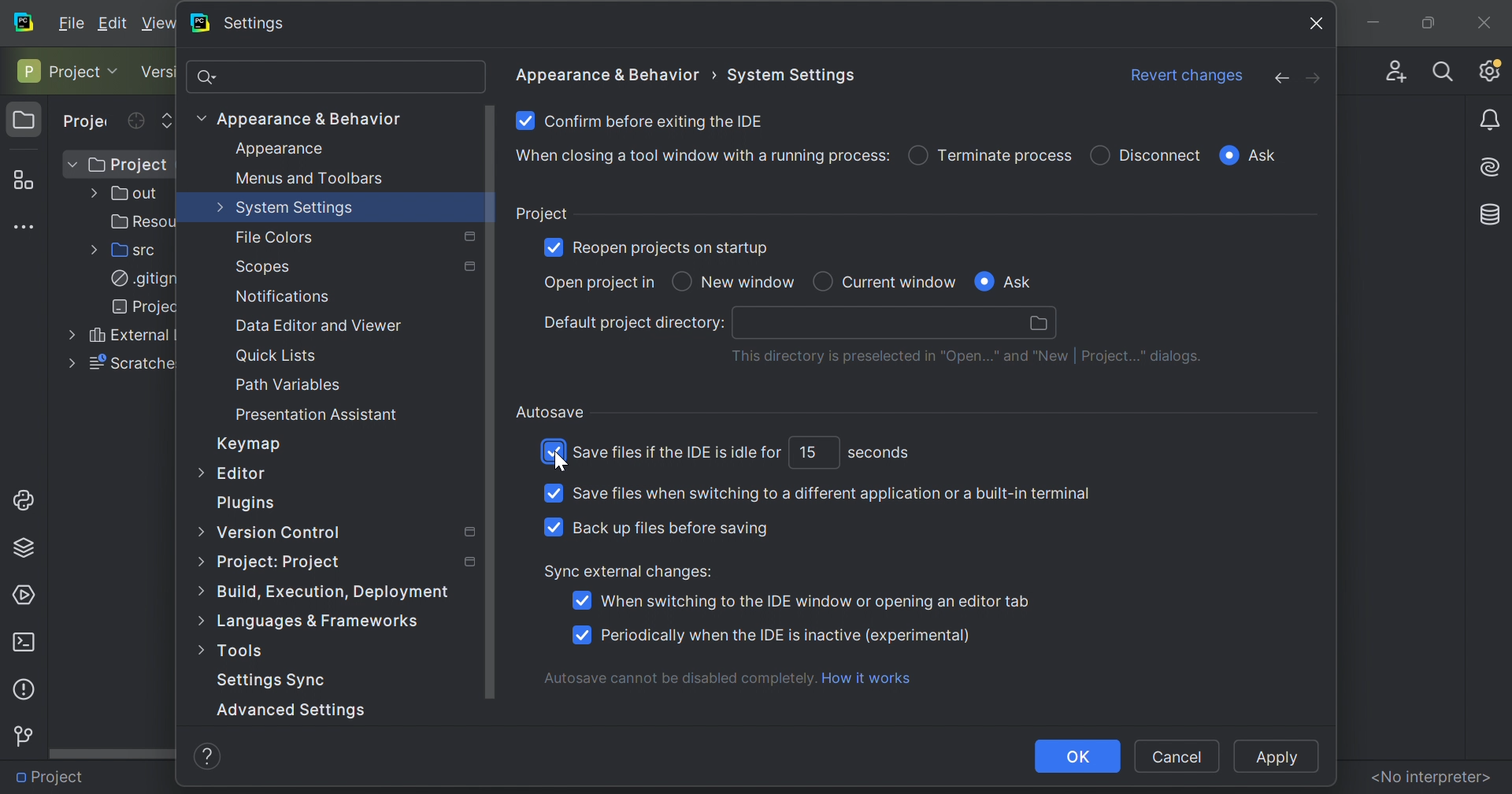 This screenshot has height=794, width=1512. I want to click on .gitignore, so click(138, 279).